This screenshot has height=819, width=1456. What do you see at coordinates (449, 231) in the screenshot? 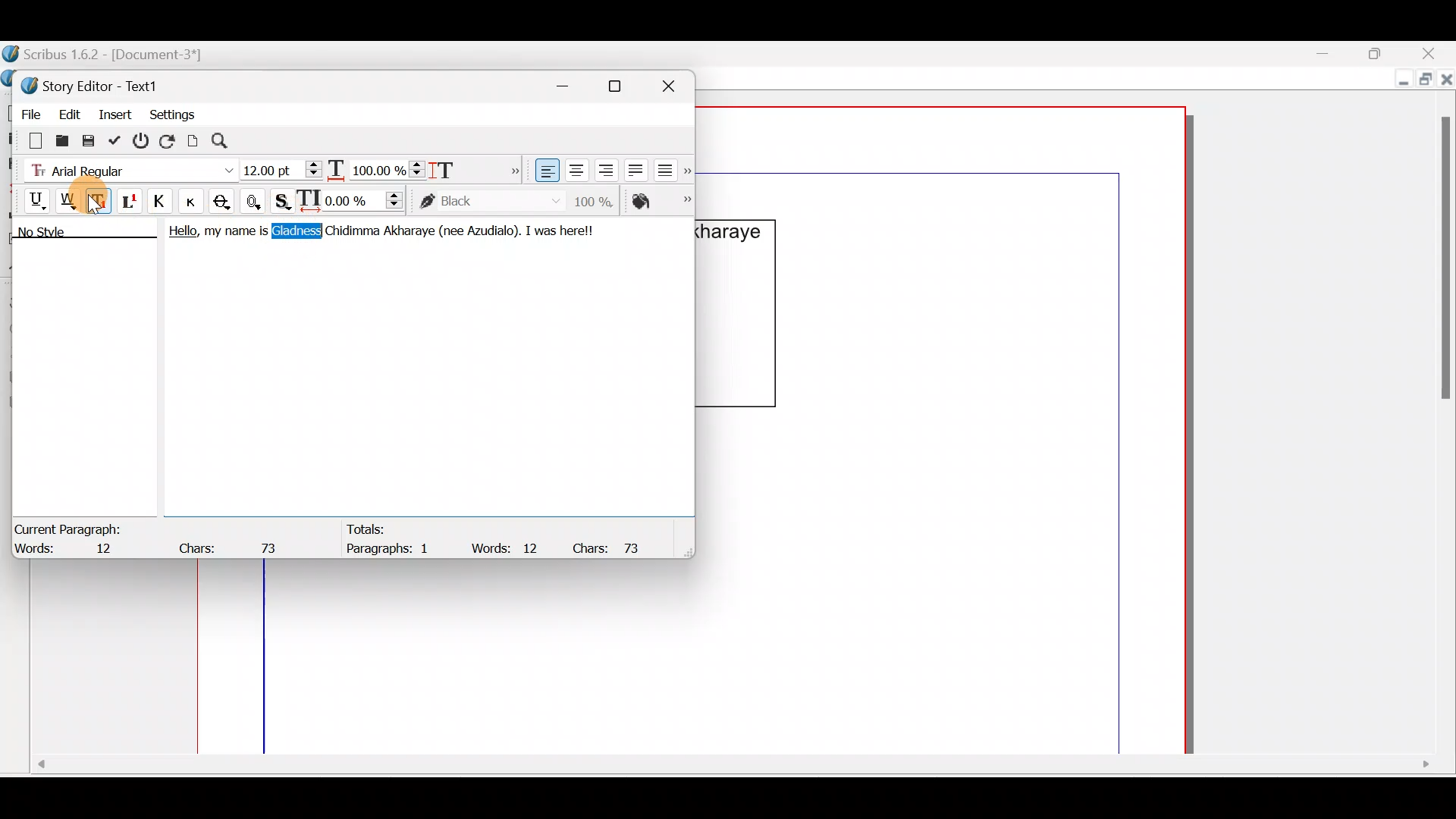
I see `(nee` at bounding box center [449, 231].